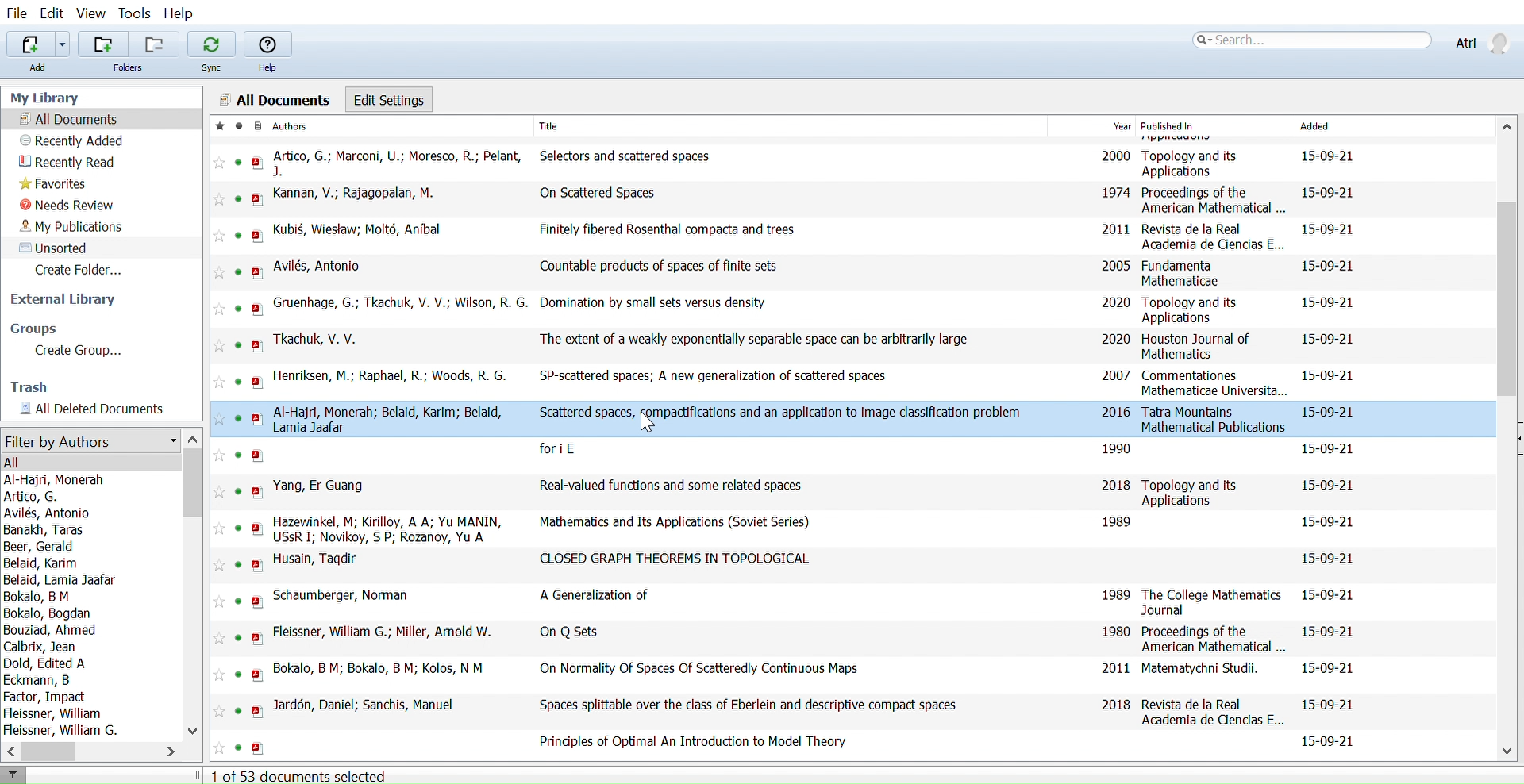 This screenshot has width=1524, height=784. Describe the element at coordinates (14, 463) in the screenshot. I see `All` at that location.